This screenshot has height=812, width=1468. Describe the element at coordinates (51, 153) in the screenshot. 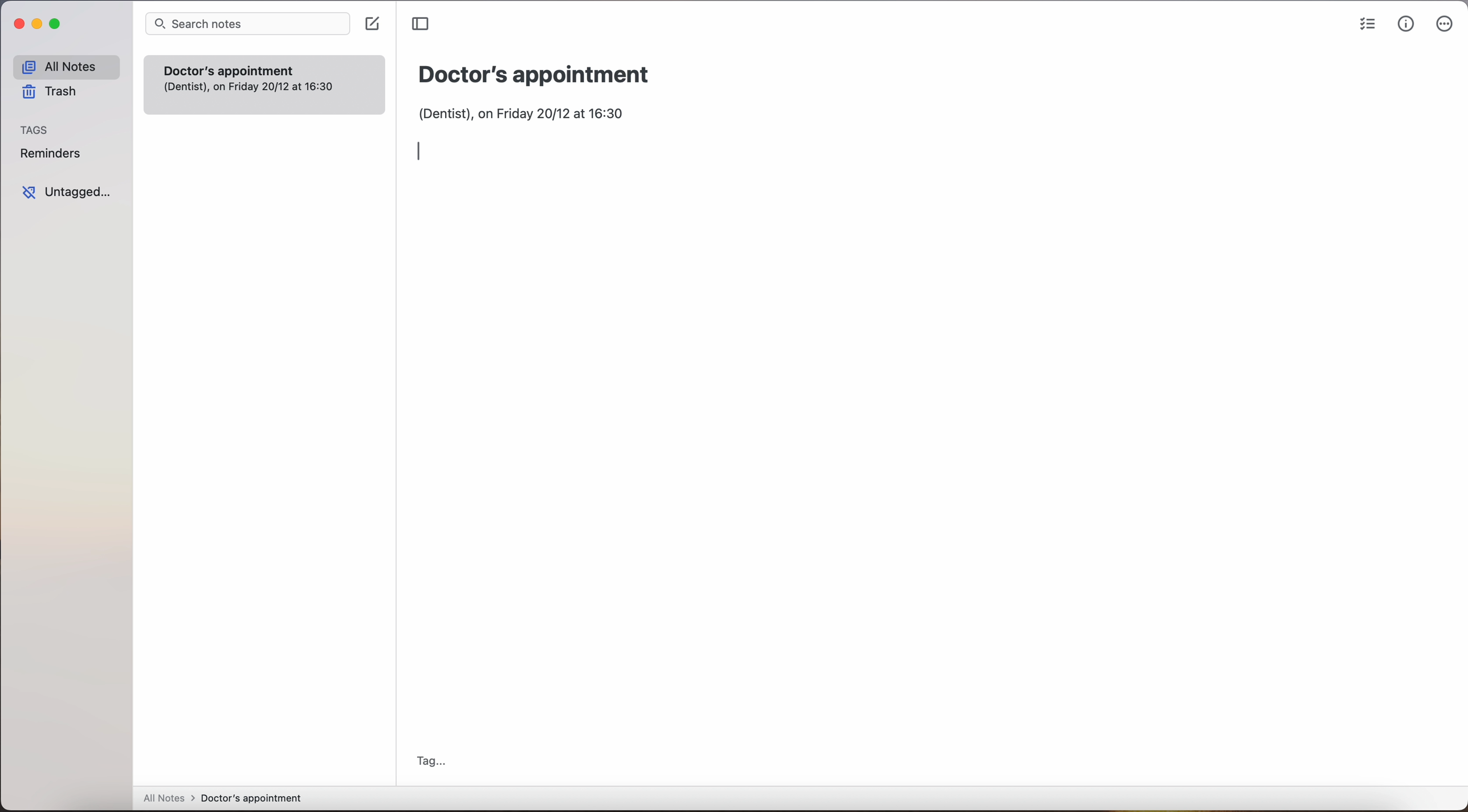

I see `reminders` at that location.